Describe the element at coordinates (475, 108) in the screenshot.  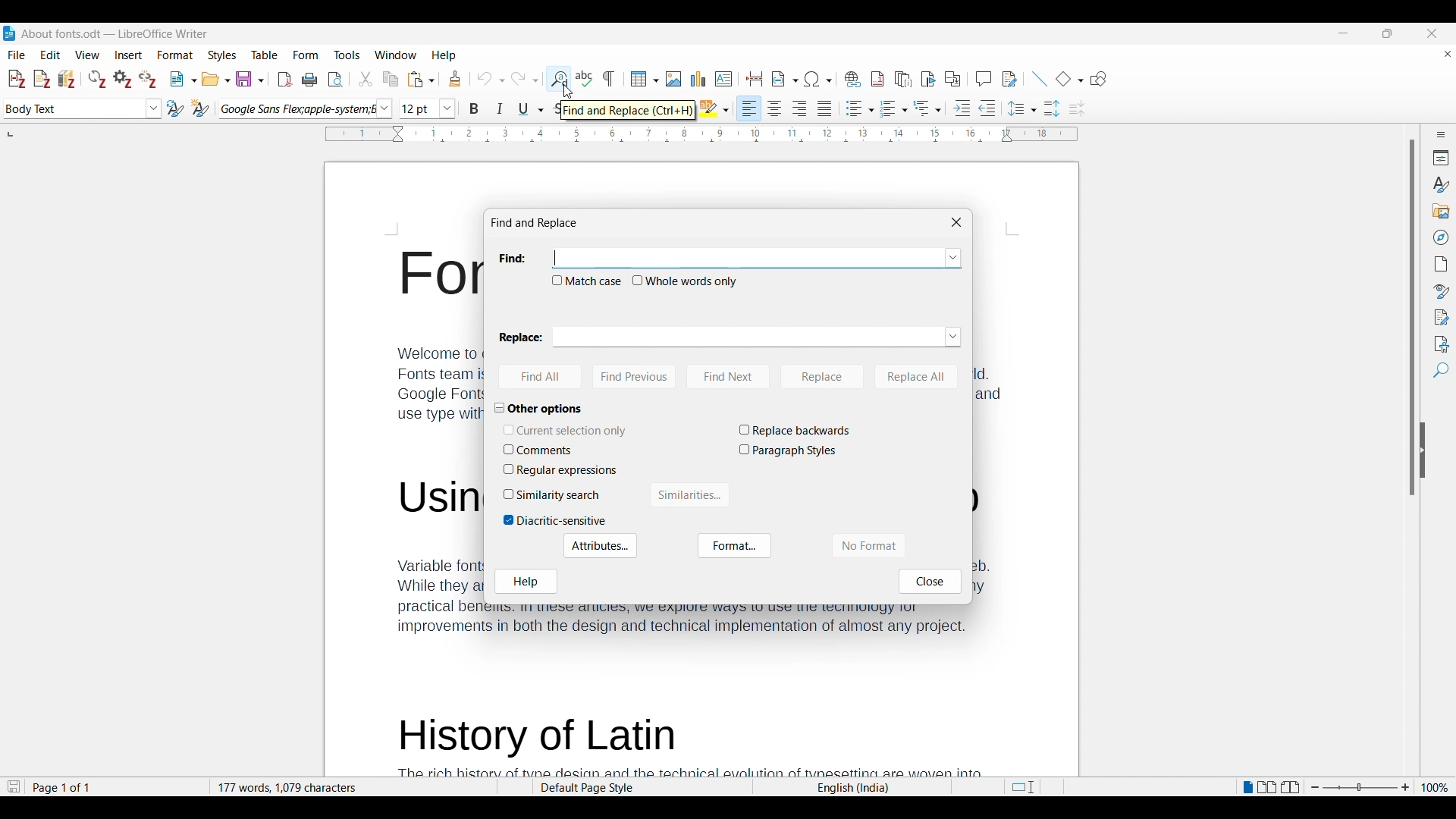
I see `Bold` at that location.